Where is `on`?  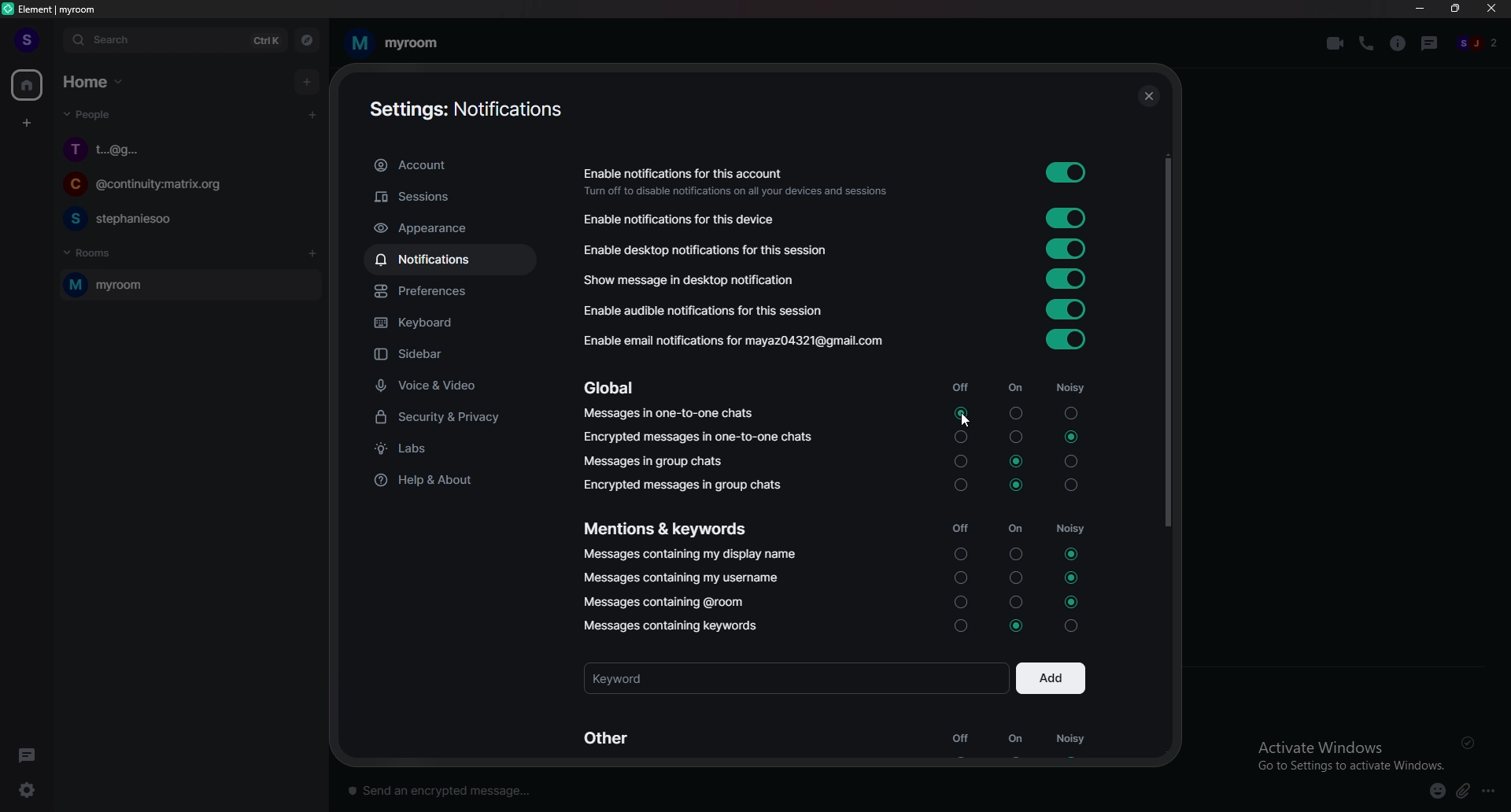
on is located at coordinates (1013, 504).